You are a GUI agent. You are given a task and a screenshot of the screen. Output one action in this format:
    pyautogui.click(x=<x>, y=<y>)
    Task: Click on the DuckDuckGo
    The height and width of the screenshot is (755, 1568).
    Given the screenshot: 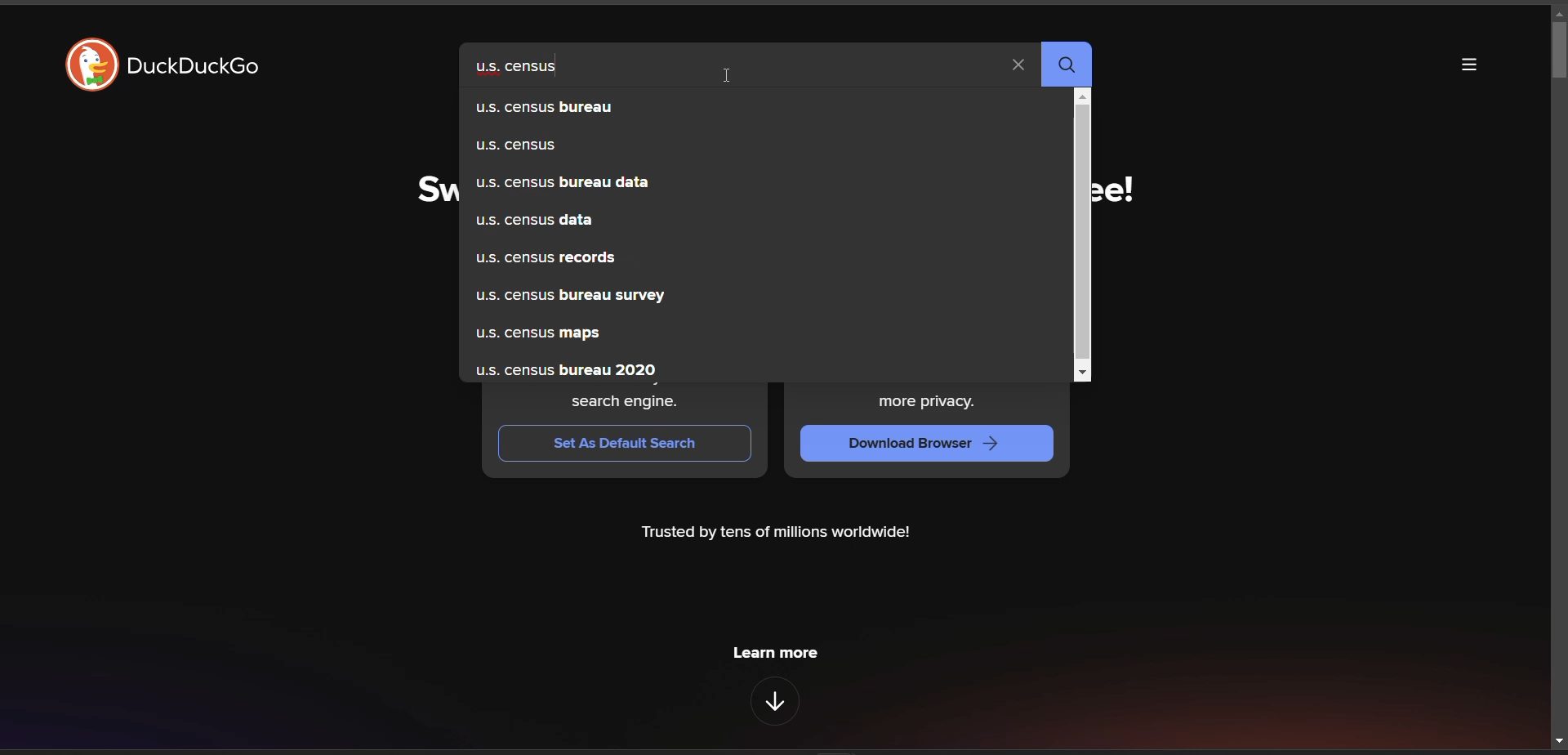 What is the action you would take?
    pyautogui.click(x=194, y=67)
    